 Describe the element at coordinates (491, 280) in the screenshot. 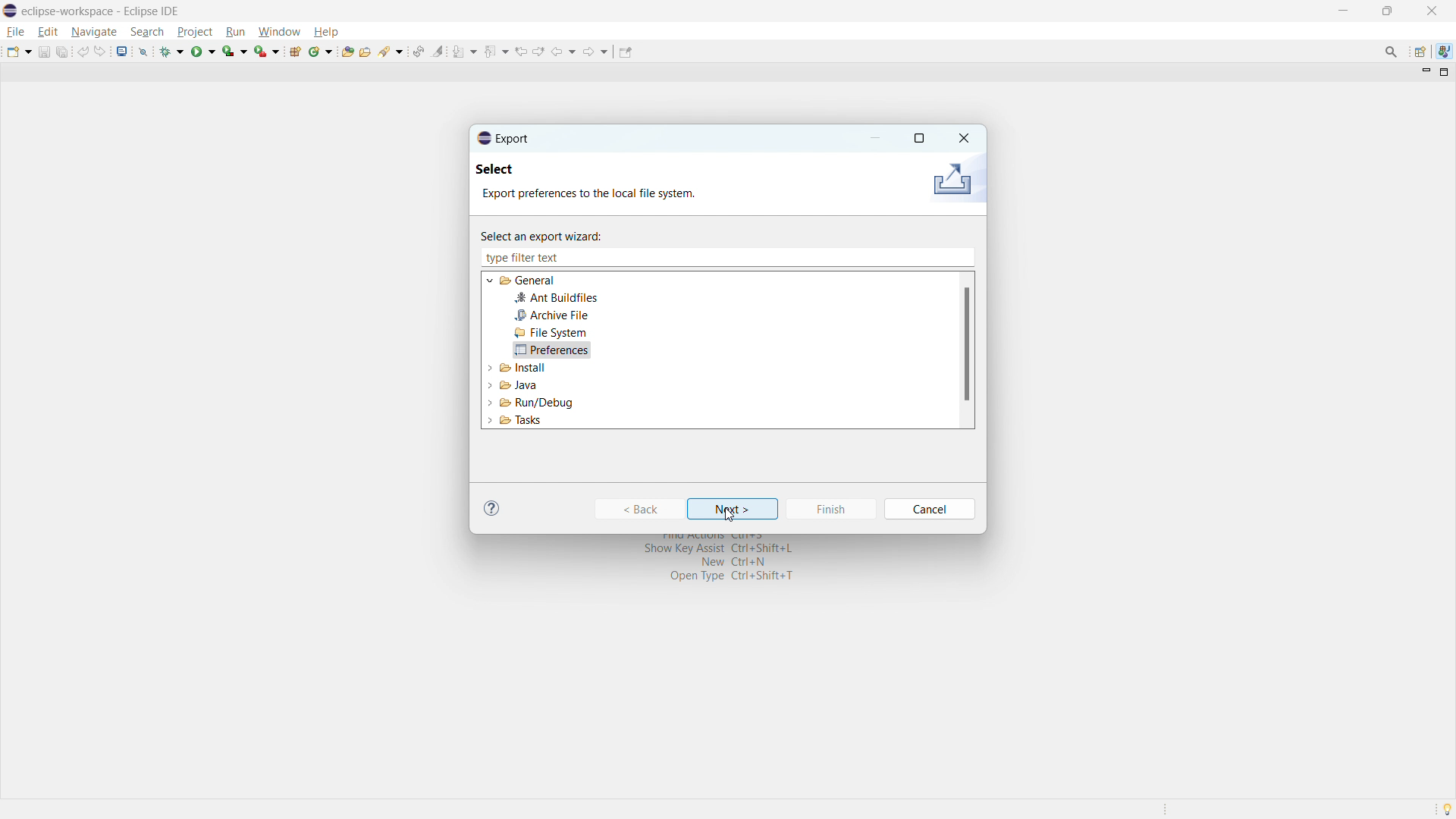

I see `expand general` at that location.